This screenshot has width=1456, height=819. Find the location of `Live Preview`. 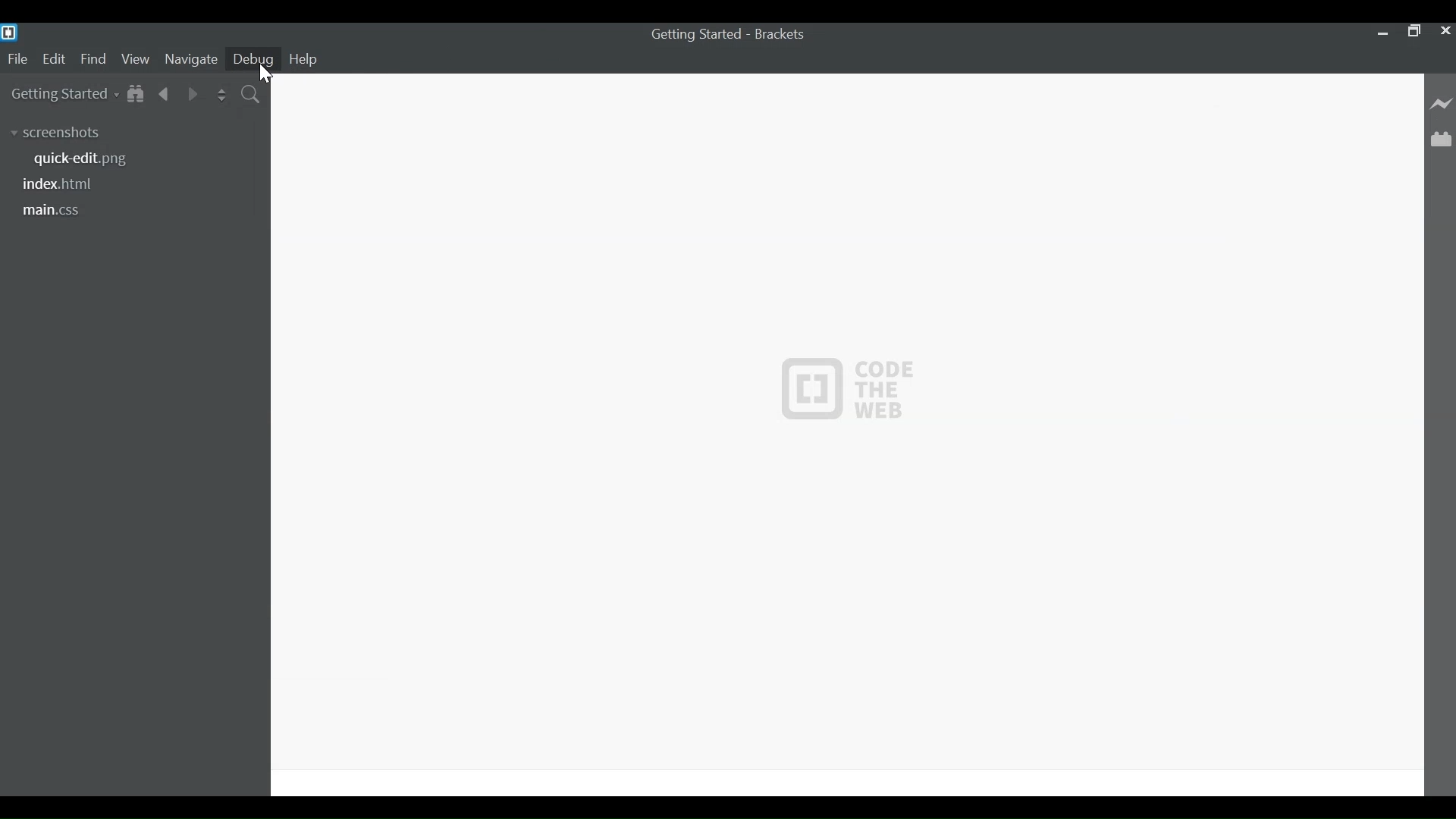

Live Preview is located at coordinates (1442, 103).